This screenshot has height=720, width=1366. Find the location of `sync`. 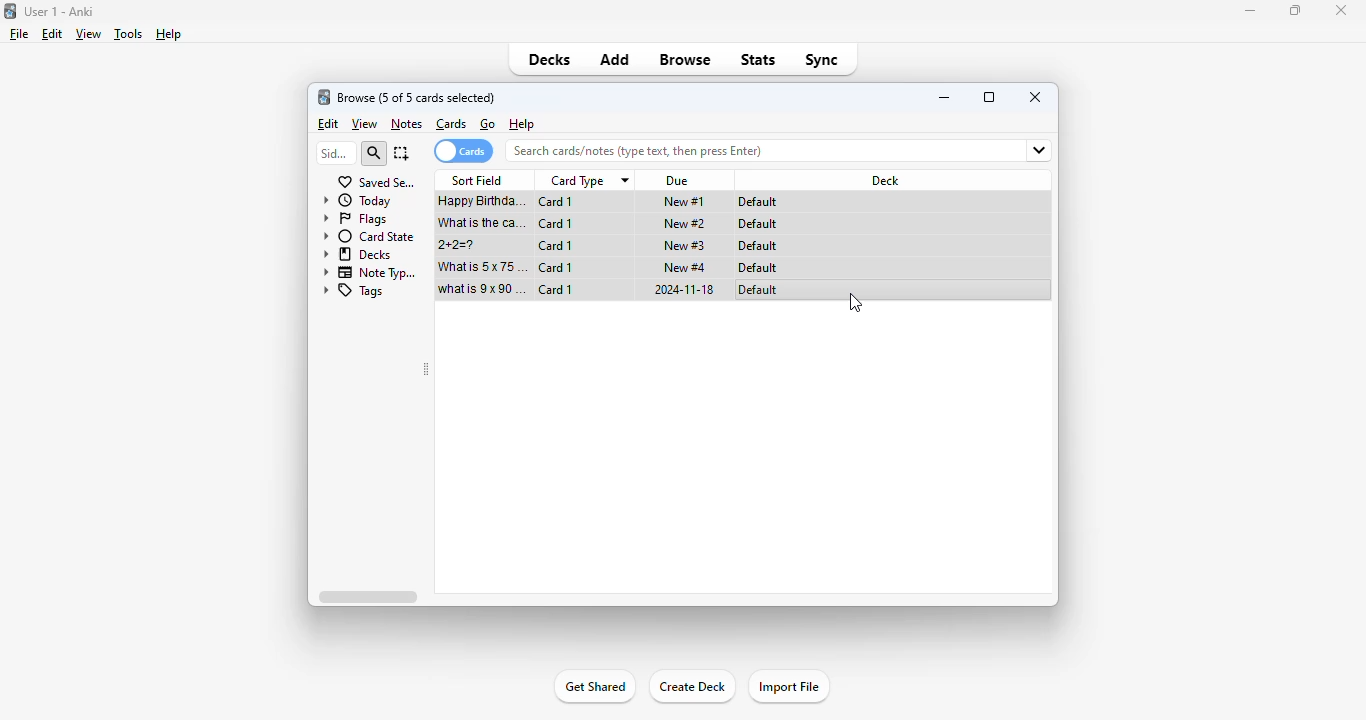

sync is located at coordinates (823, 60).